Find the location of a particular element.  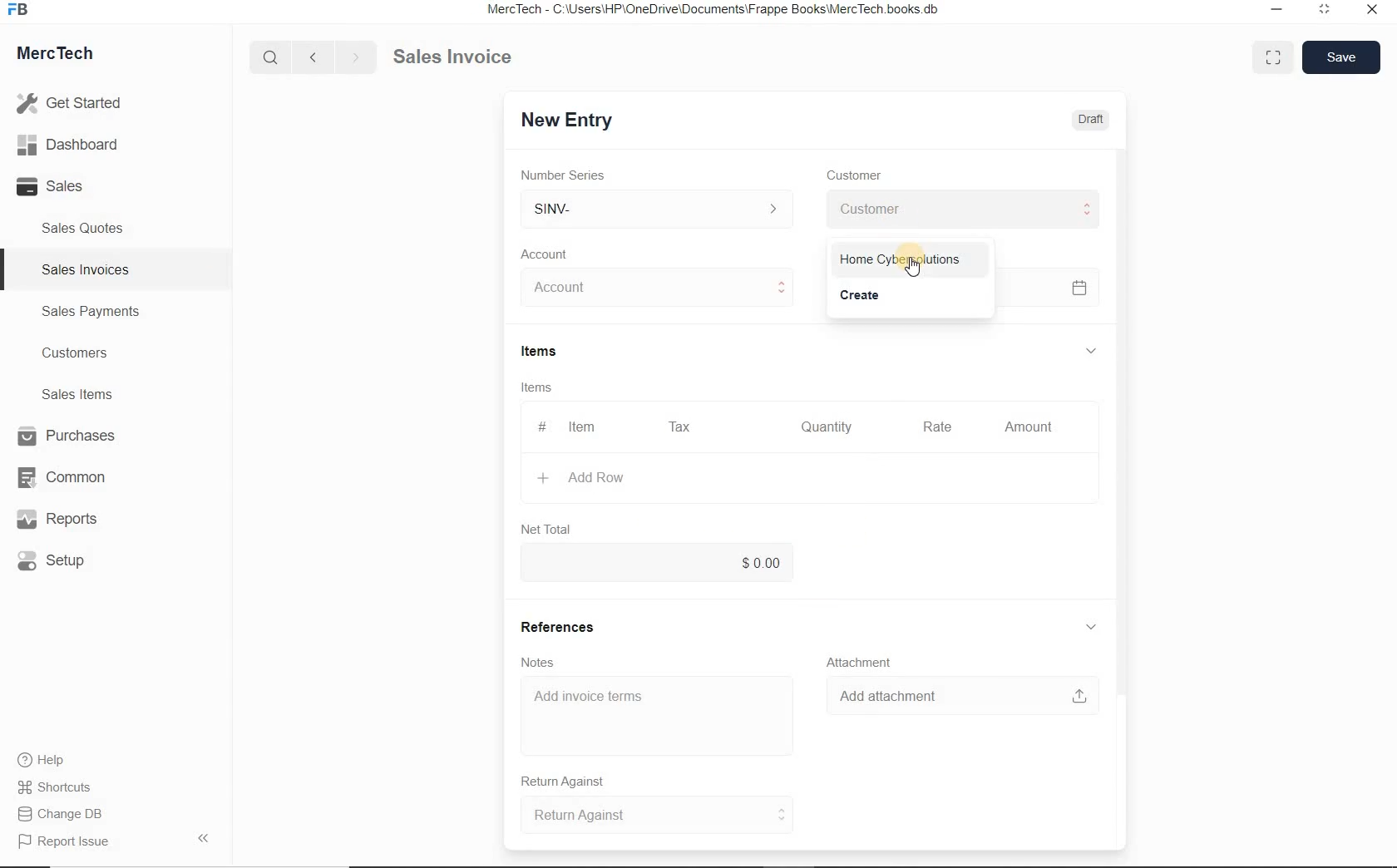

Report Issue is located at coordinates (67, 842).